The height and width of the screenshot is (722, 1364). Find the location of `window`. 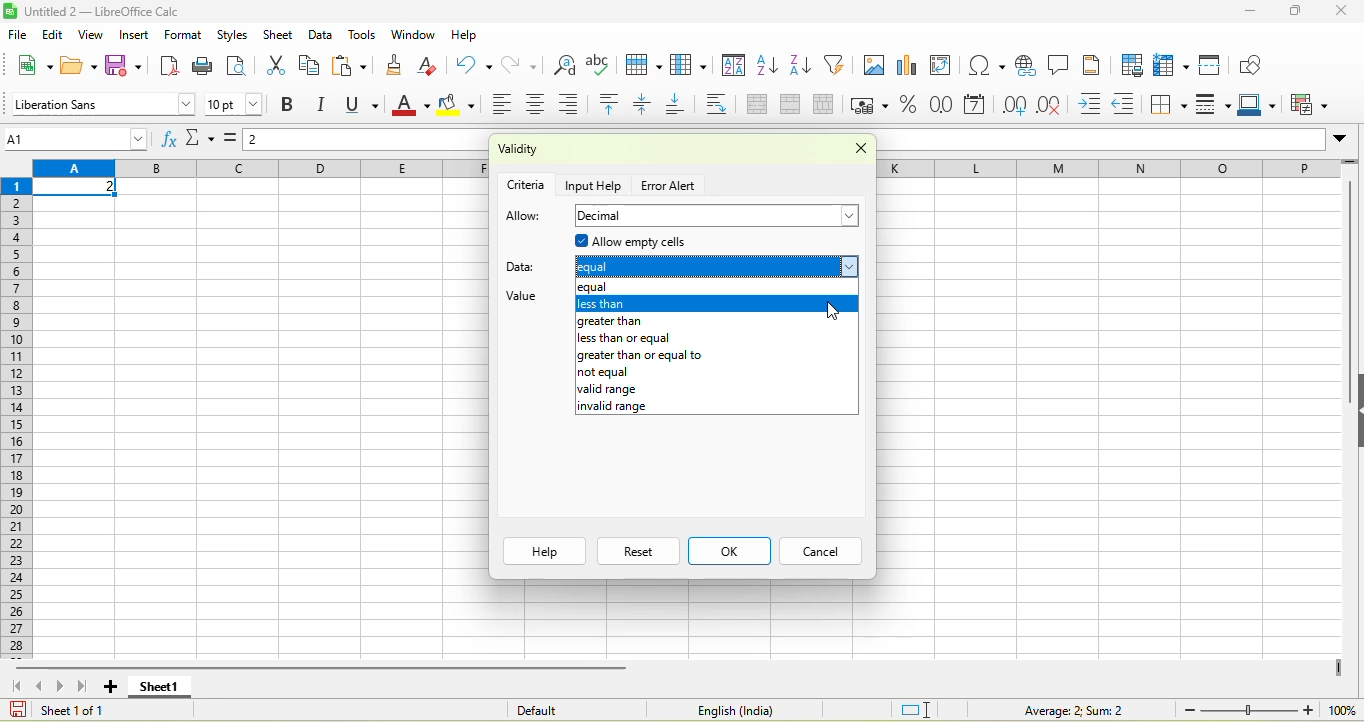

window is located at coordinates (412, 36).